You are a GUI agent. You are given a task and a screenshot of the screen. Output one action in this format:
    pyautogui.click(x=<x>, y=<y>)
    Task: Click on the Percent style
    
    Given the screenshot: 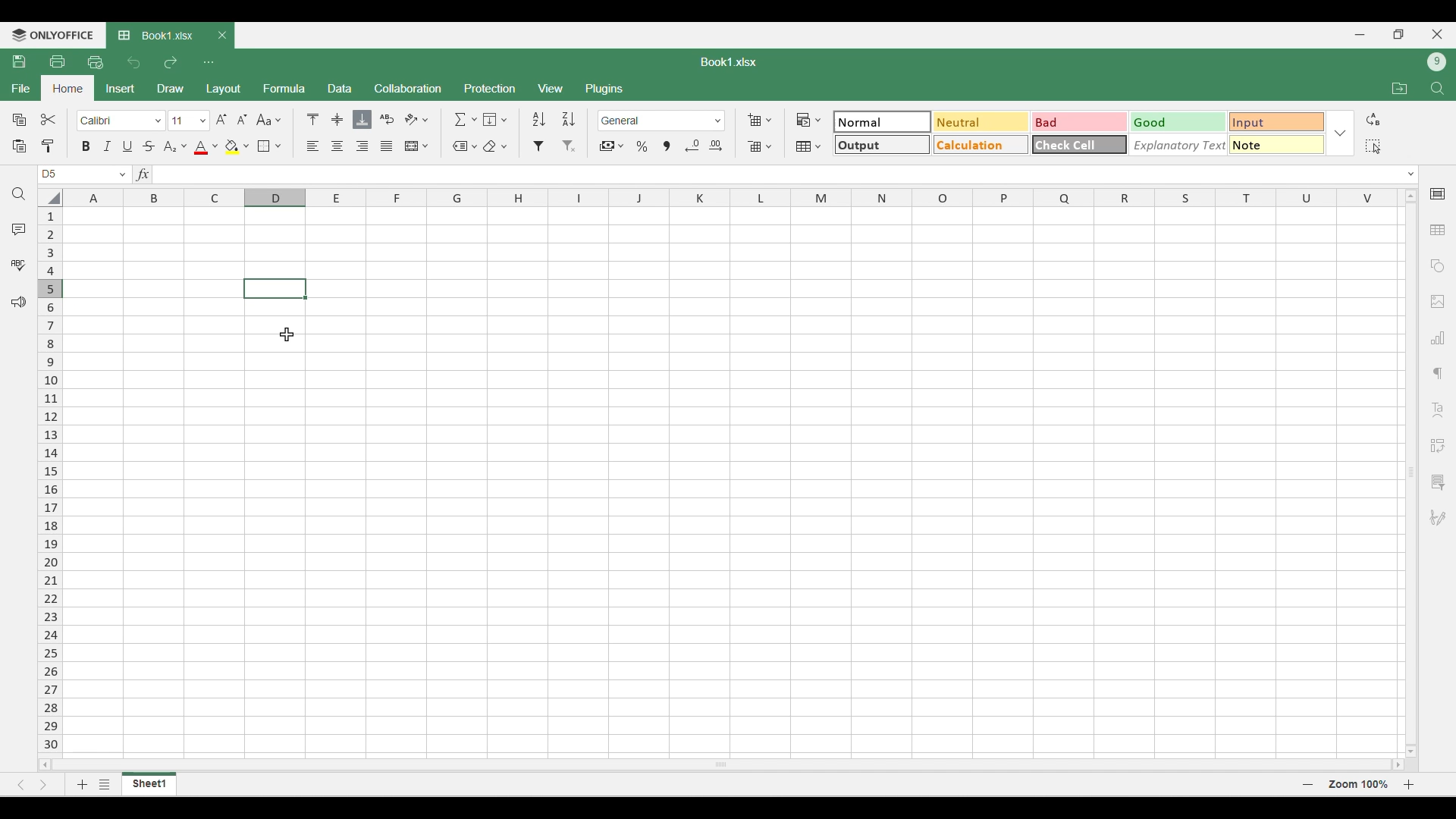 What is the action you would take?
    pyautogui.click(x=642, y=146)
    